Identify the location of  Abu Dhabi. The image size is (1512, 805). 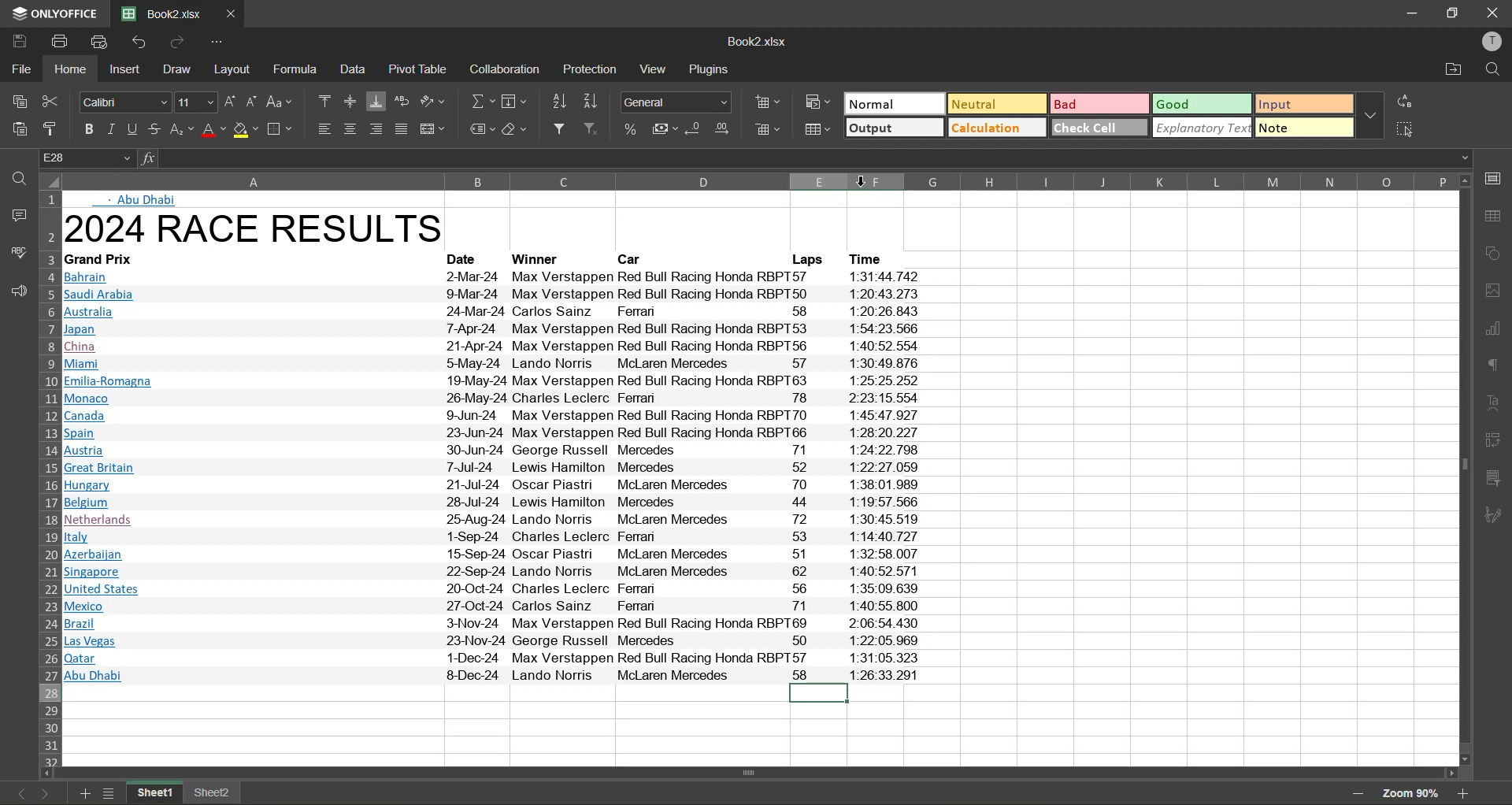
(150, 200).